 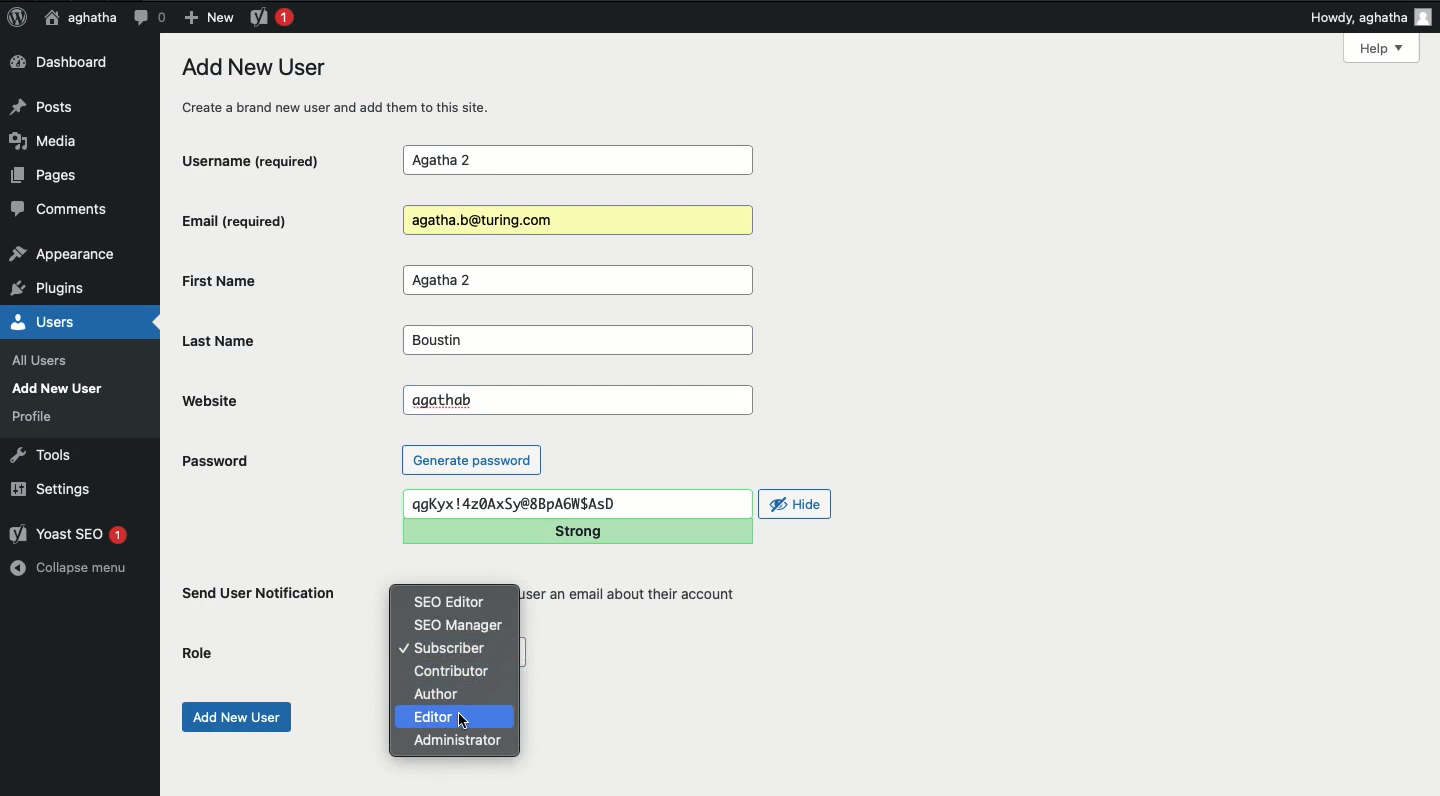 I want to click on Editor, so click(x=457, y=718).